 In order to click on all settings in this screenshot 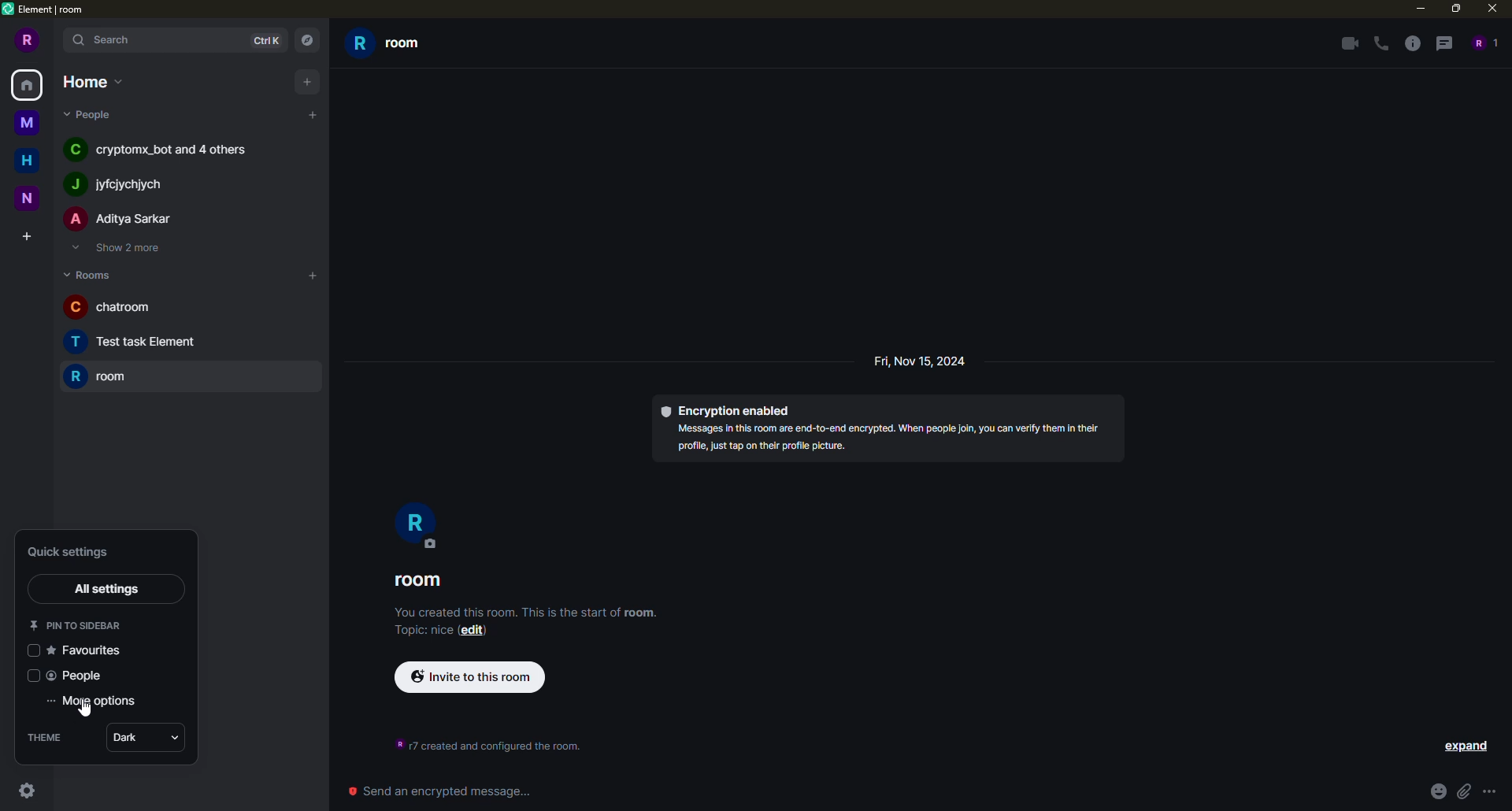, I will do `click(109, 591)`.